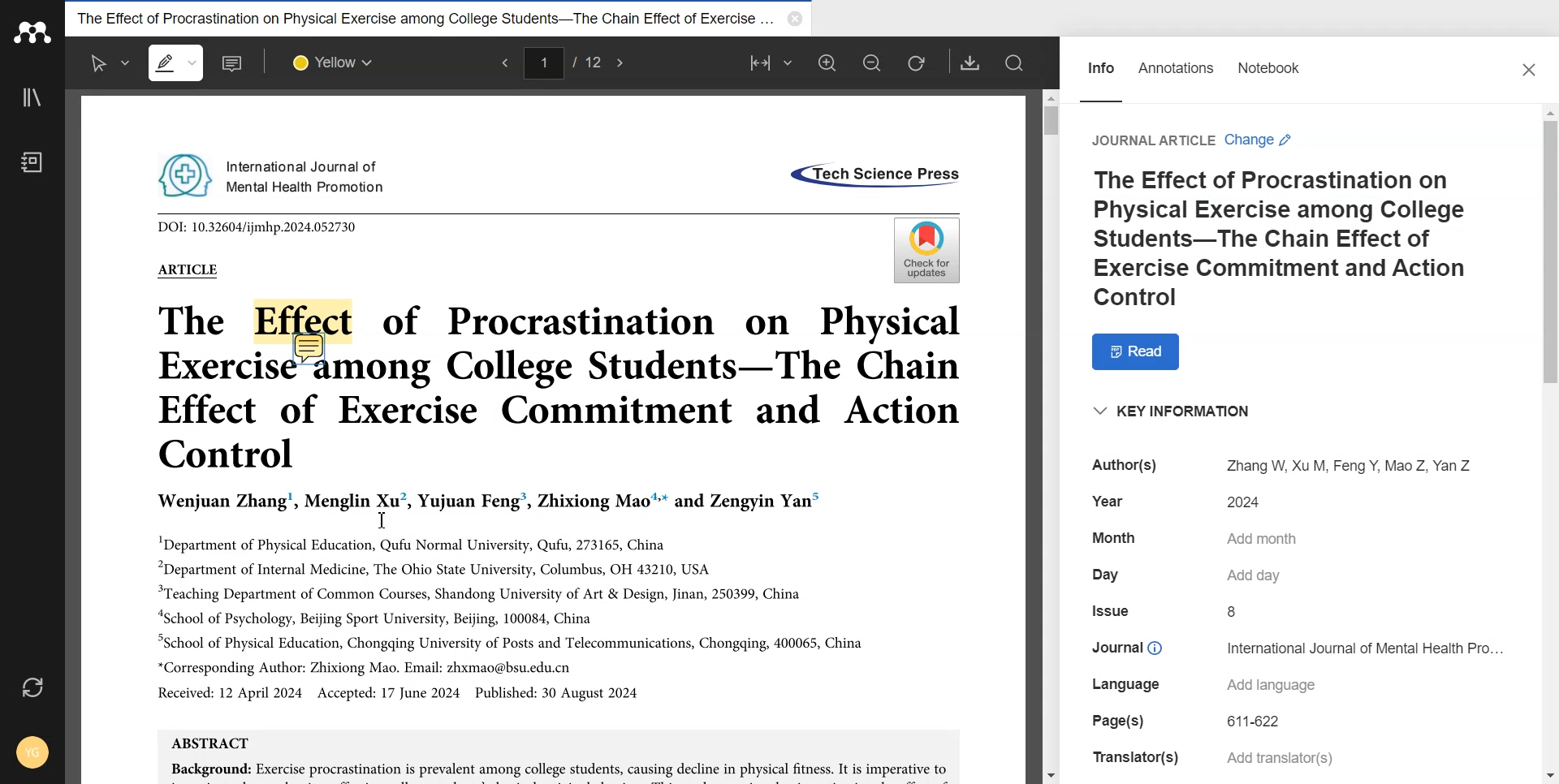 The width and height of the screenshot is (1559, 784). What do you see at coordinates (187, 269) in the screenshot?
I see `ARTICLE` at bounding box center [187, 269].